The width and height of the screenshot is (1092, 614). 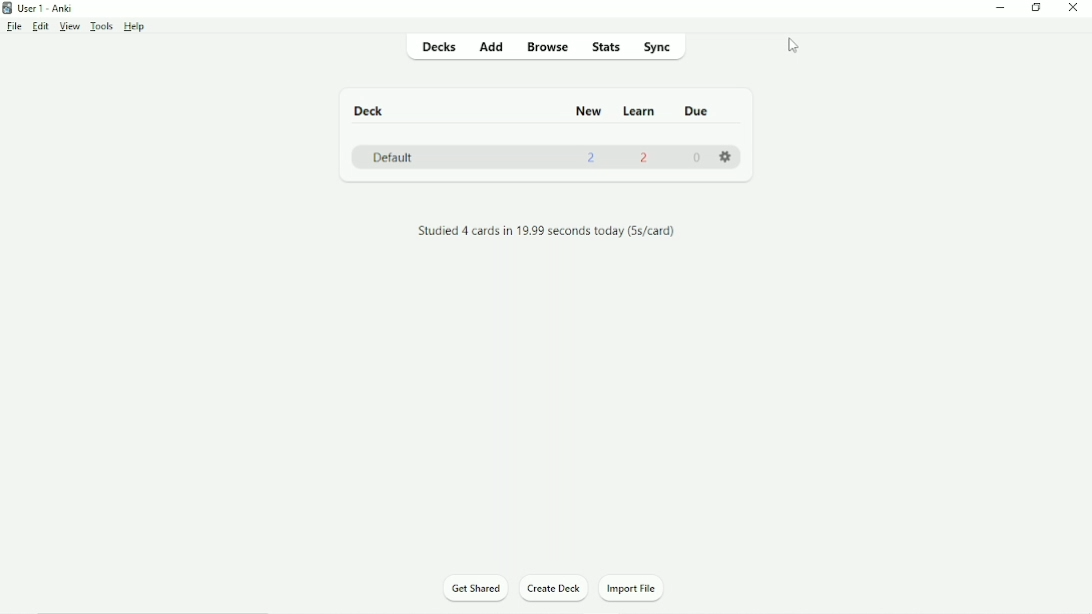 What do you see at coordinates (696, 111) in the screenshot?
I see `Due` at bounding box center [696, 111].